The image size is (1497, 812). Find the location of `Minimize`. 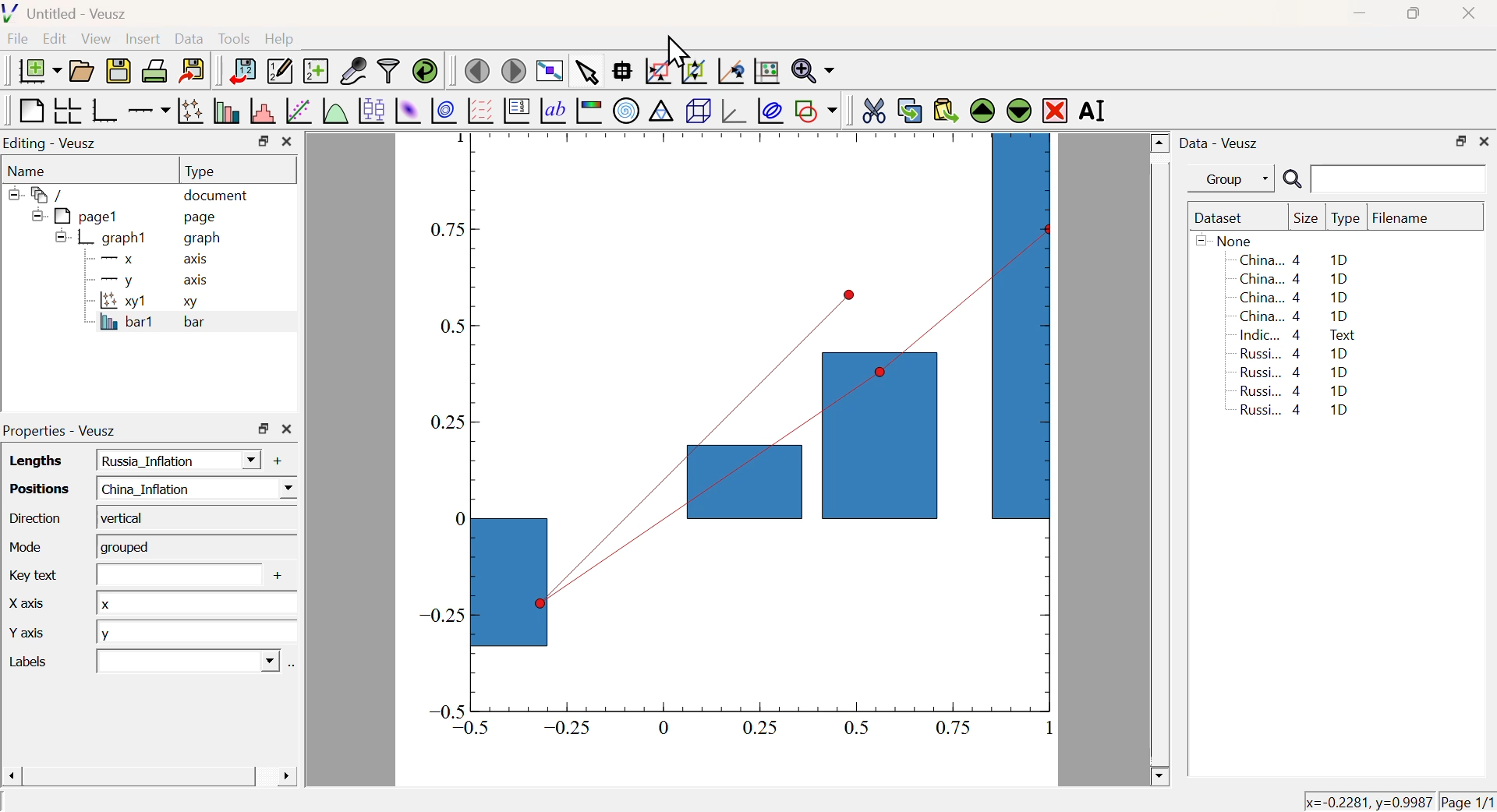

Minimize is located at coordinates (1360, 14).